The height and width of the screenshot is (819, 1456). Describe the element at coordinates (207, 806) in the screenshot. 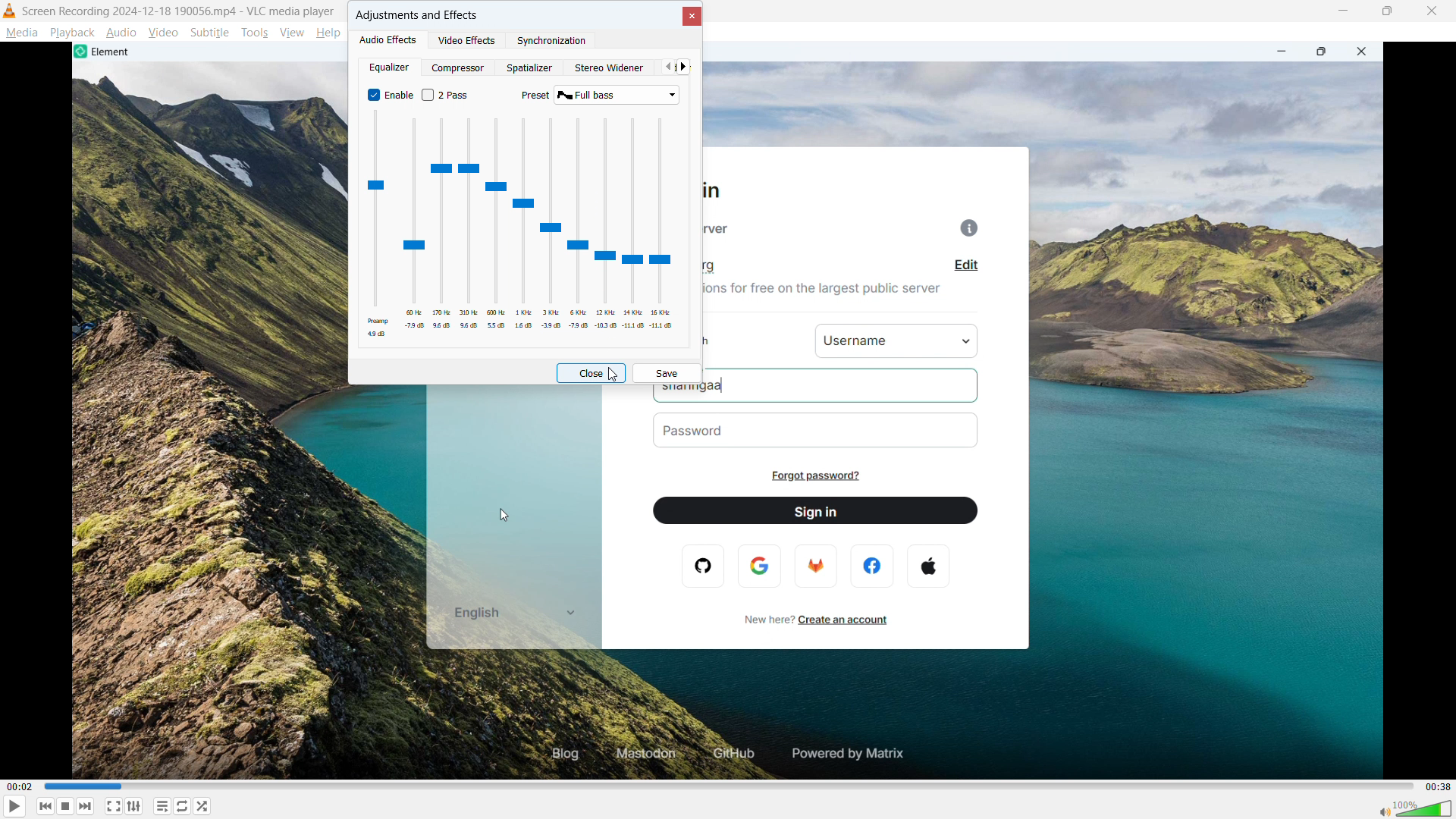

I see `shuffle` at that location.